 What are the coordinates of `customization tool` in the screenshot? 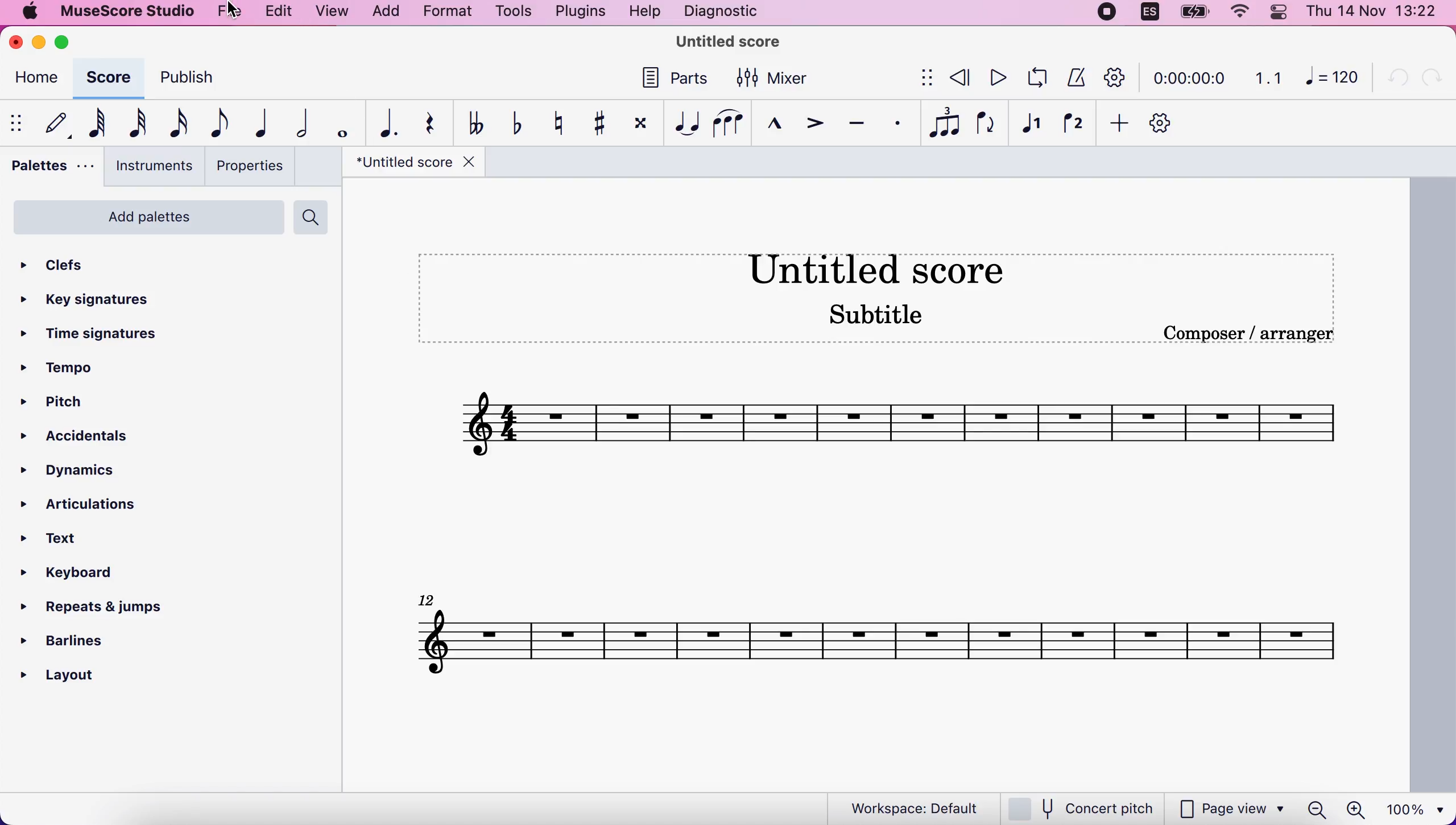 It's located at (1111, 77).